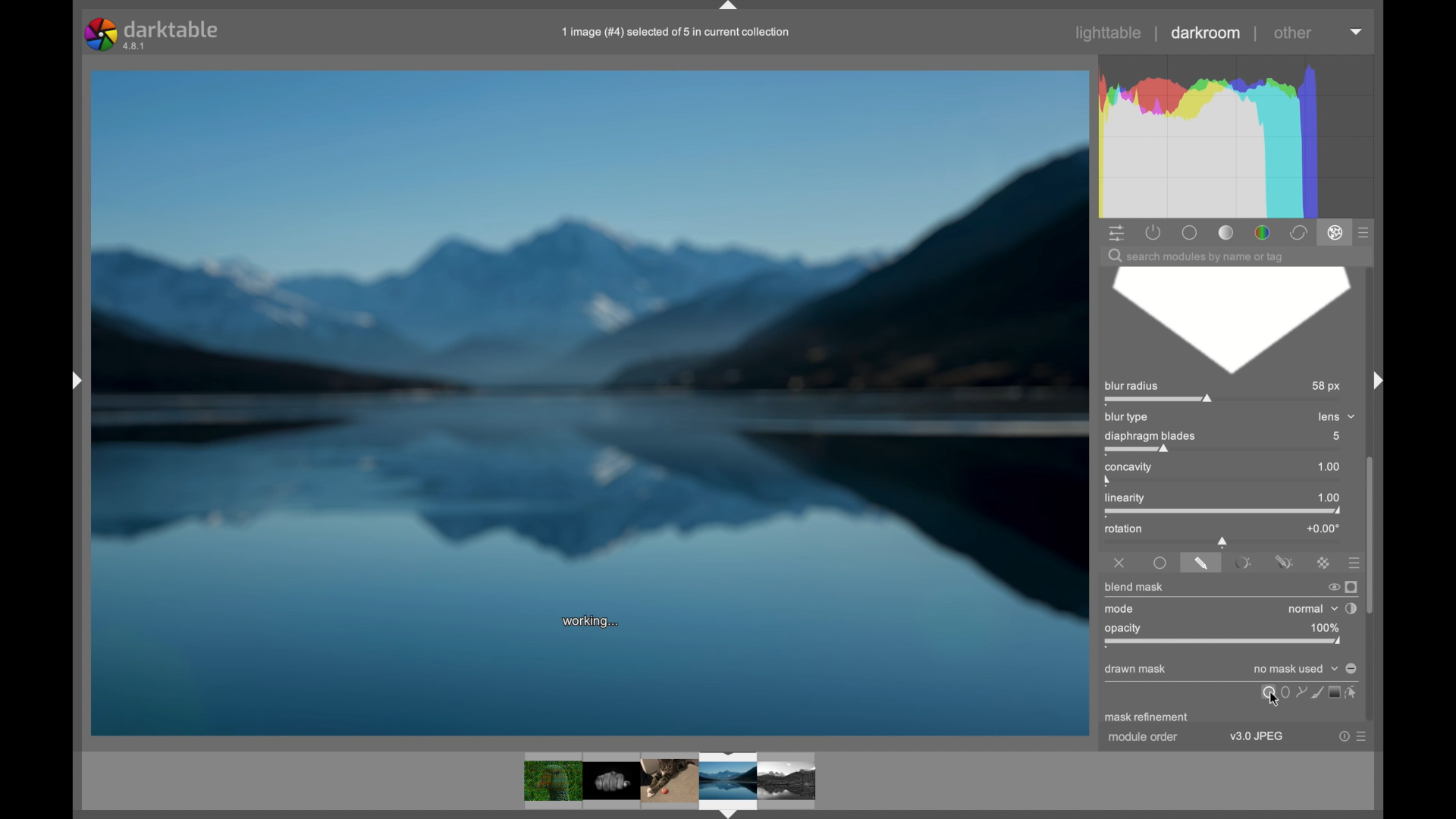  Describe the element at coordinates (1119, 609) in the screenshot. I see `mode` at that location.